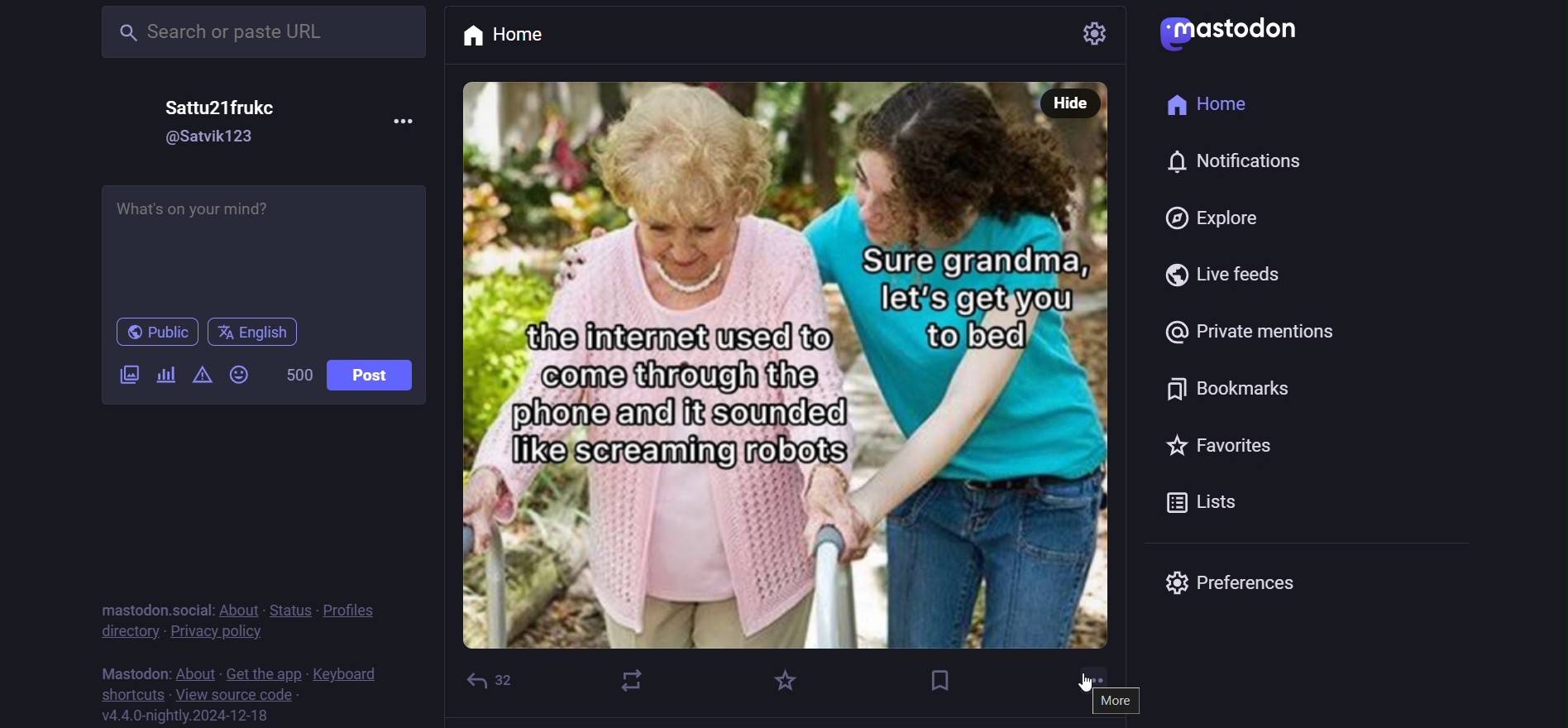 The image size is (1568, 728). What do you see at coordinates (212, 137) in the screenshot?
I see `@satvik123` at bounding box center [212, 137].